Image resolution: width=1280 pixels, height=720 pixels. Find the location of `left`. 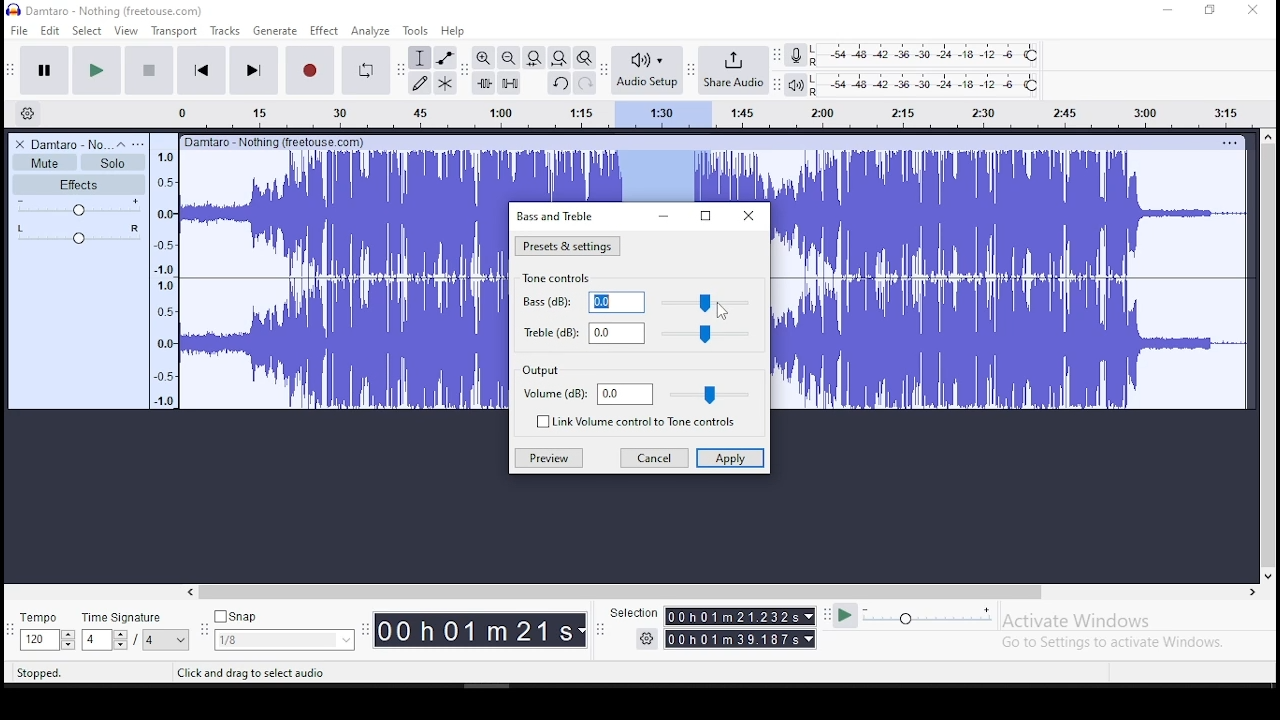

left is located at coordinates (189, 592).